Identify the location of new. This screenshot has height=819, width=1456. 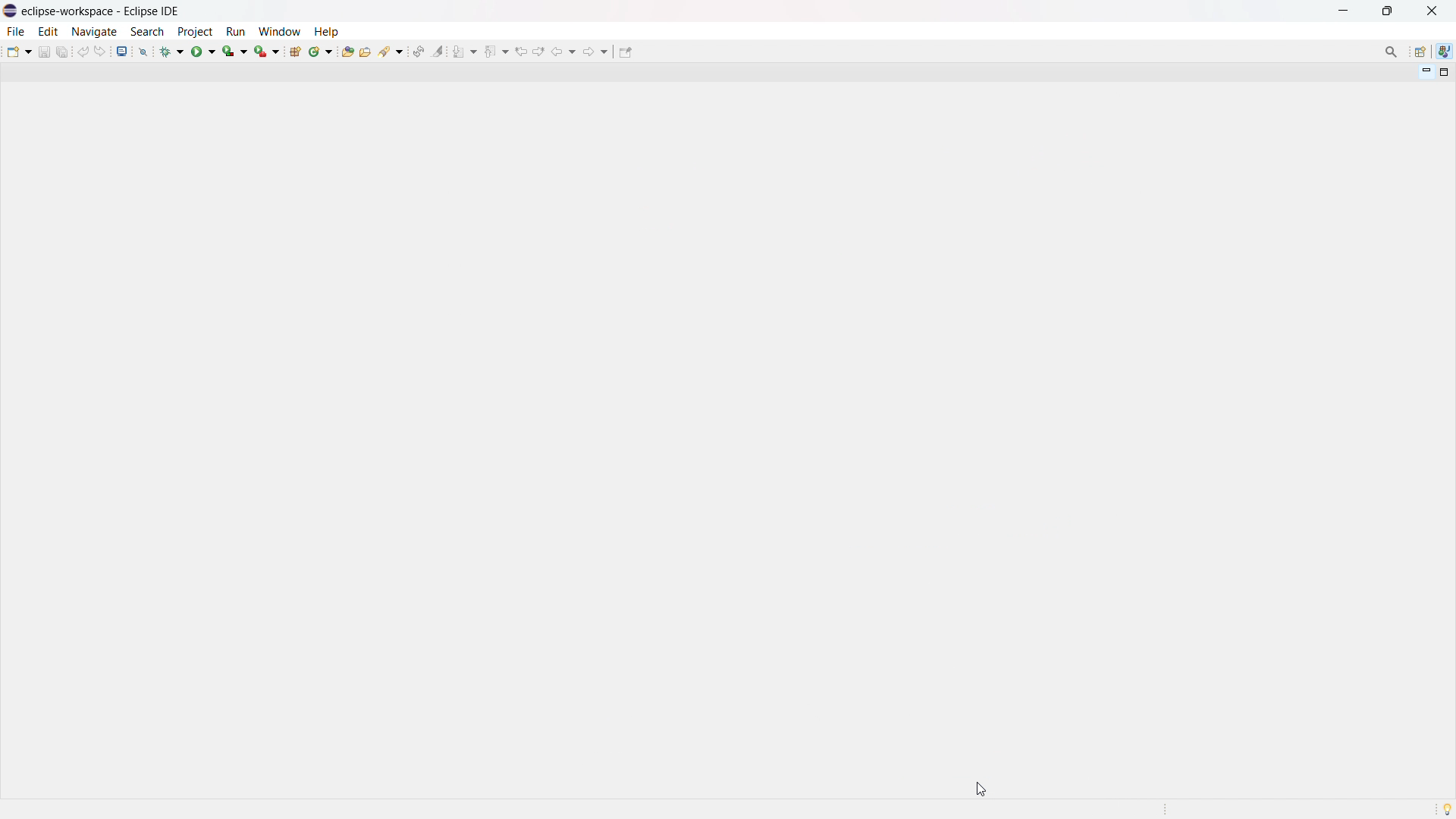
(19, 51).